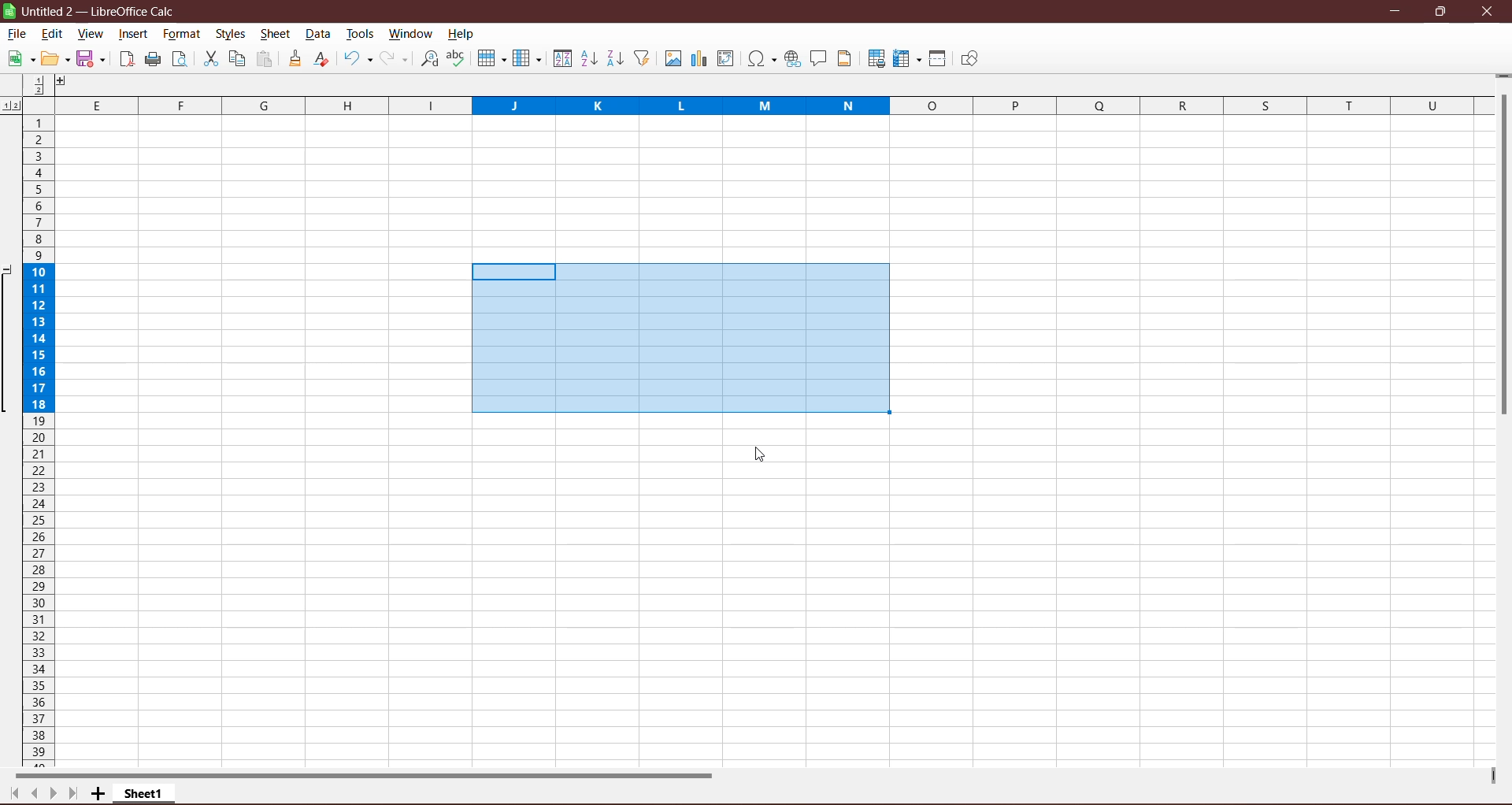  What do you see at coordinates (792, 59) in the screenshot?
I see `Insert Hyperlink` at bounding box center [792, 59].